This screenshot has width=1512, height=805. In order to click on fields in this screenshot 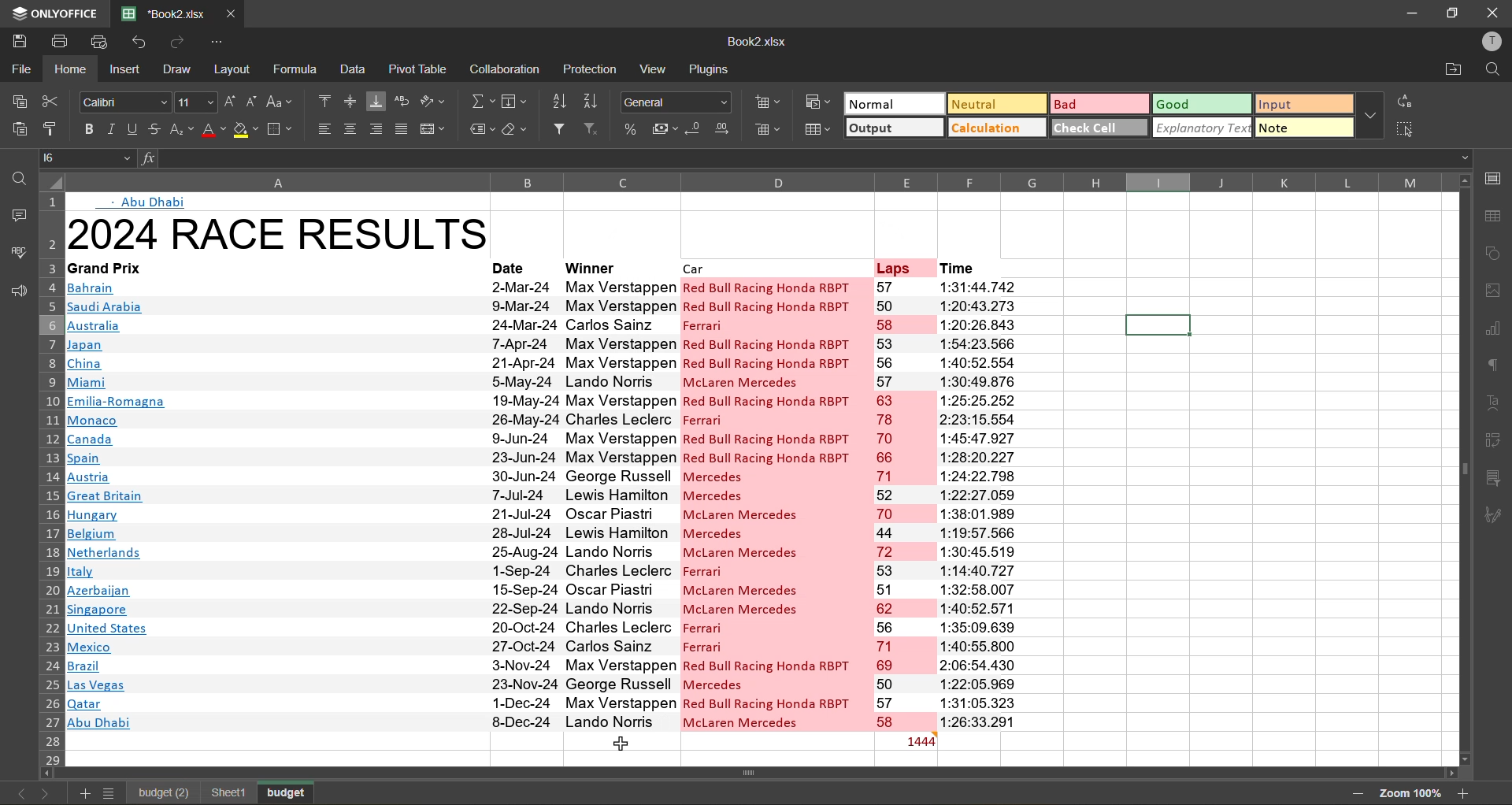, I will do `click(515, 102)`.